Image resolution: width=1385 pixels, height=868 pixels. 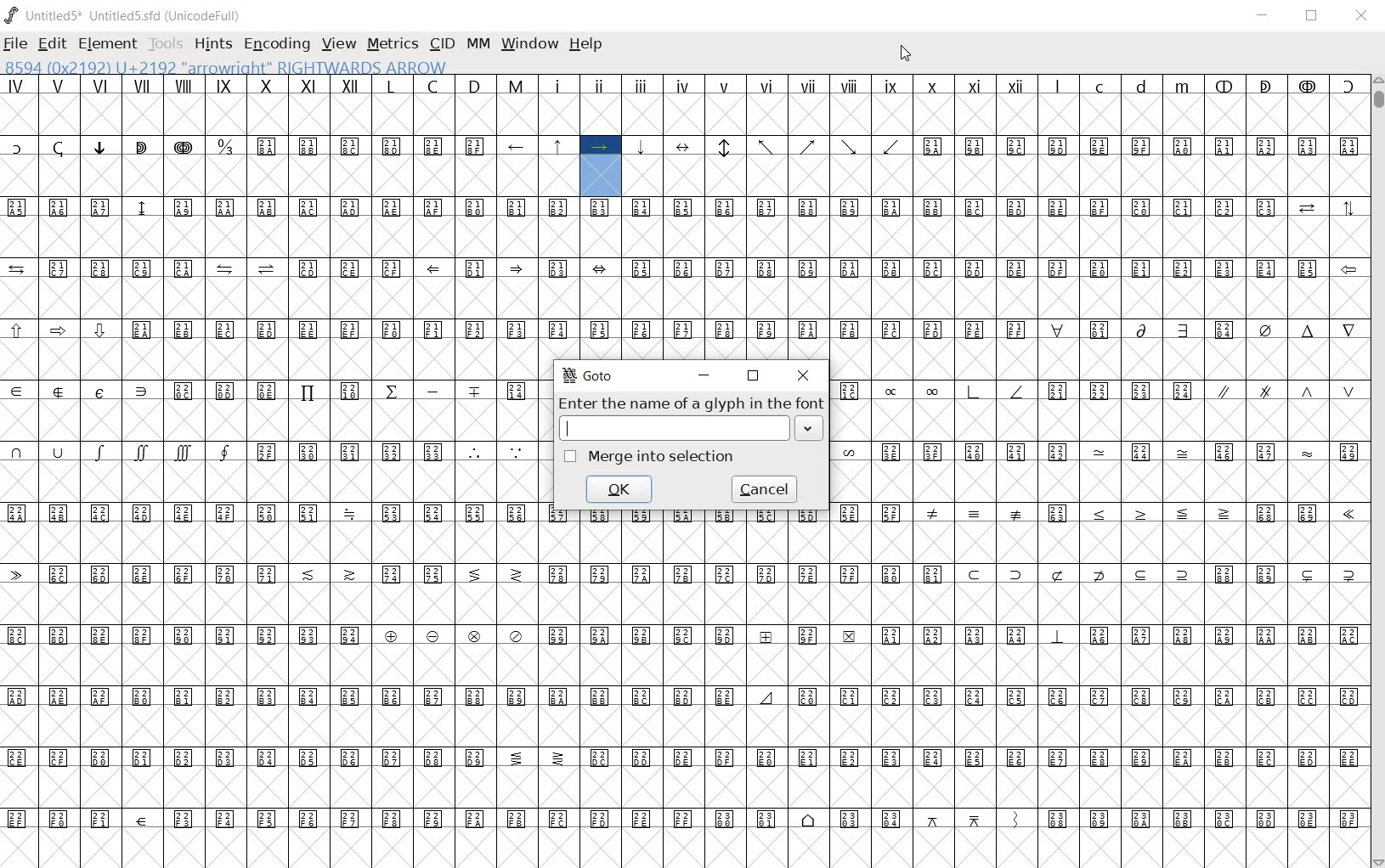 I want to click on HINTS, so click(x=212, y=45).